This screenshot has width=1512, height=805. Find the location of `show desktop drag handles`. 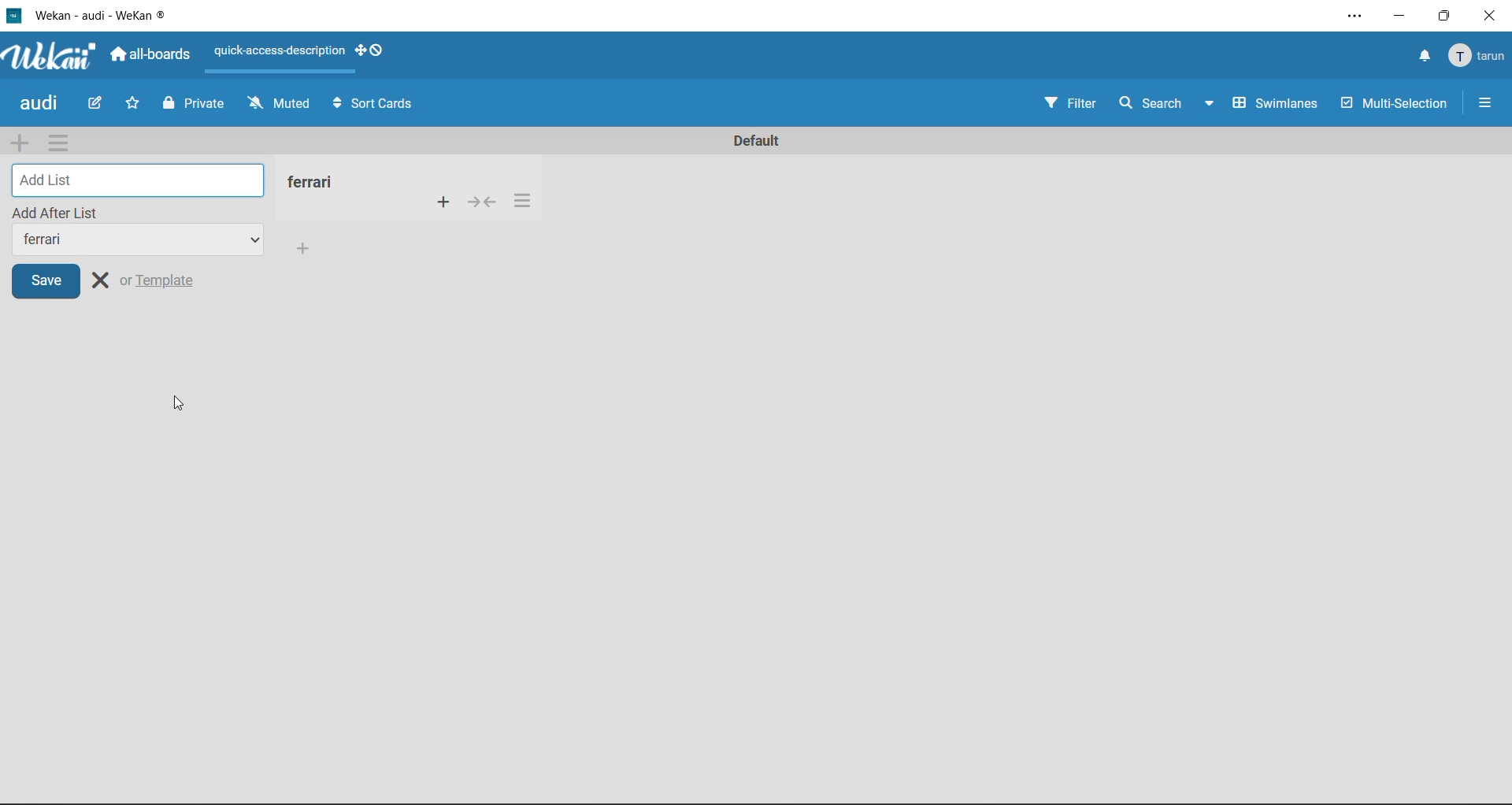

show desktop drag handles is located at coordinates (369, 51).